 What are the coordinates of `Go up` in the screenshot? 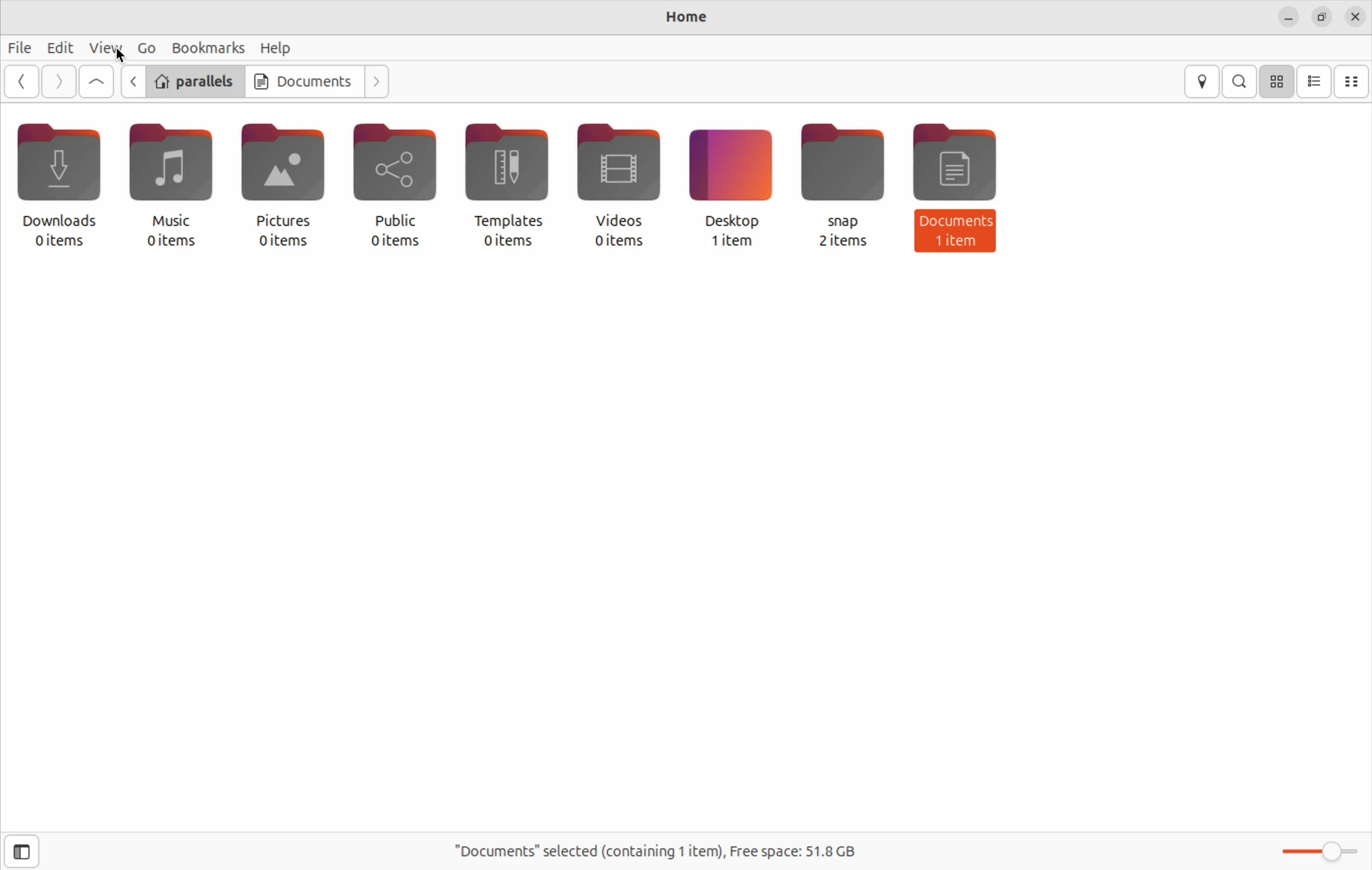 It's located at (98, 80).